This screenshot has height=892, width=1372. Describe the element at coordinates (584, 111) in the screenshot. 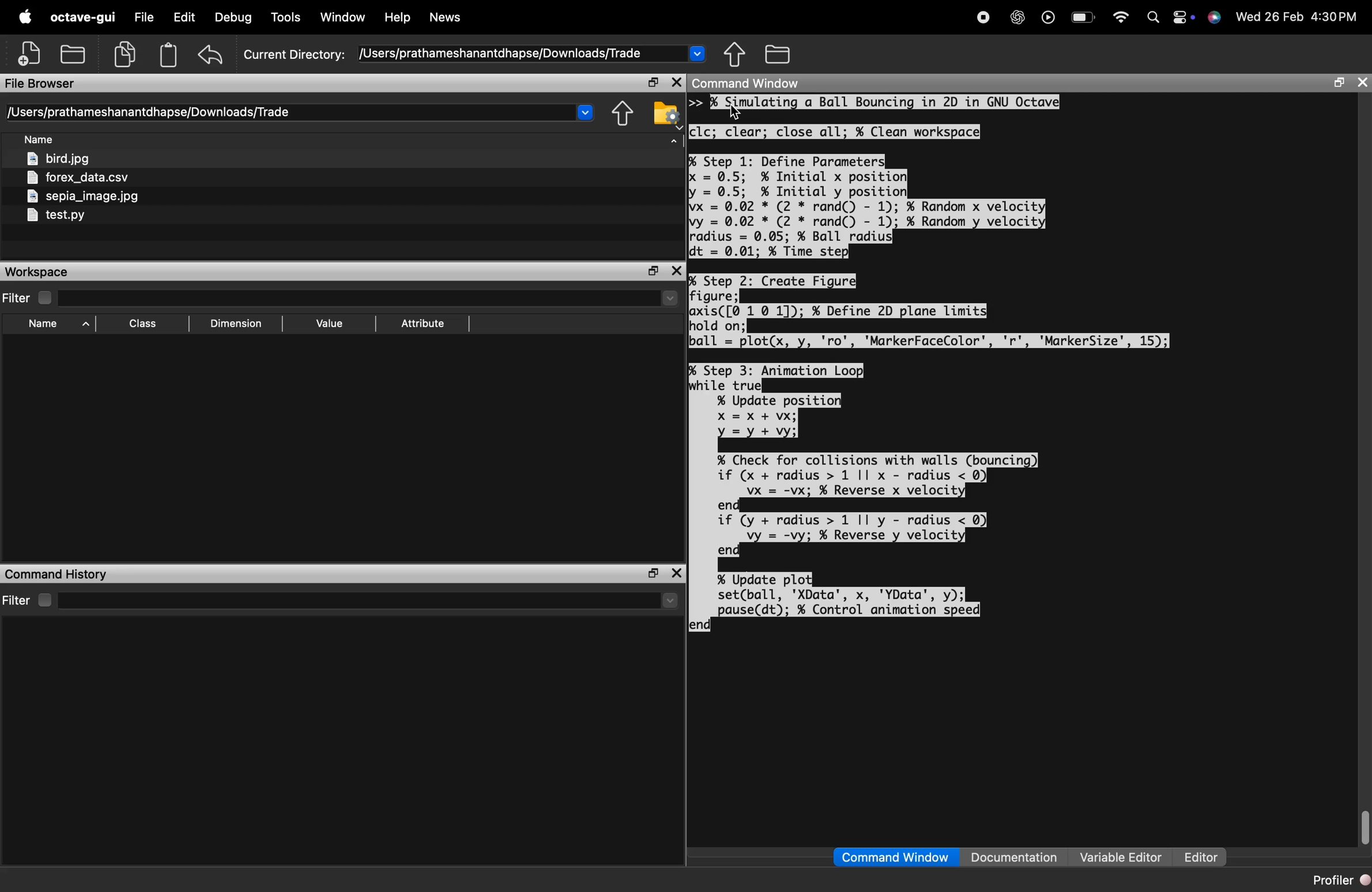

I see `Drop-down ` at that location.